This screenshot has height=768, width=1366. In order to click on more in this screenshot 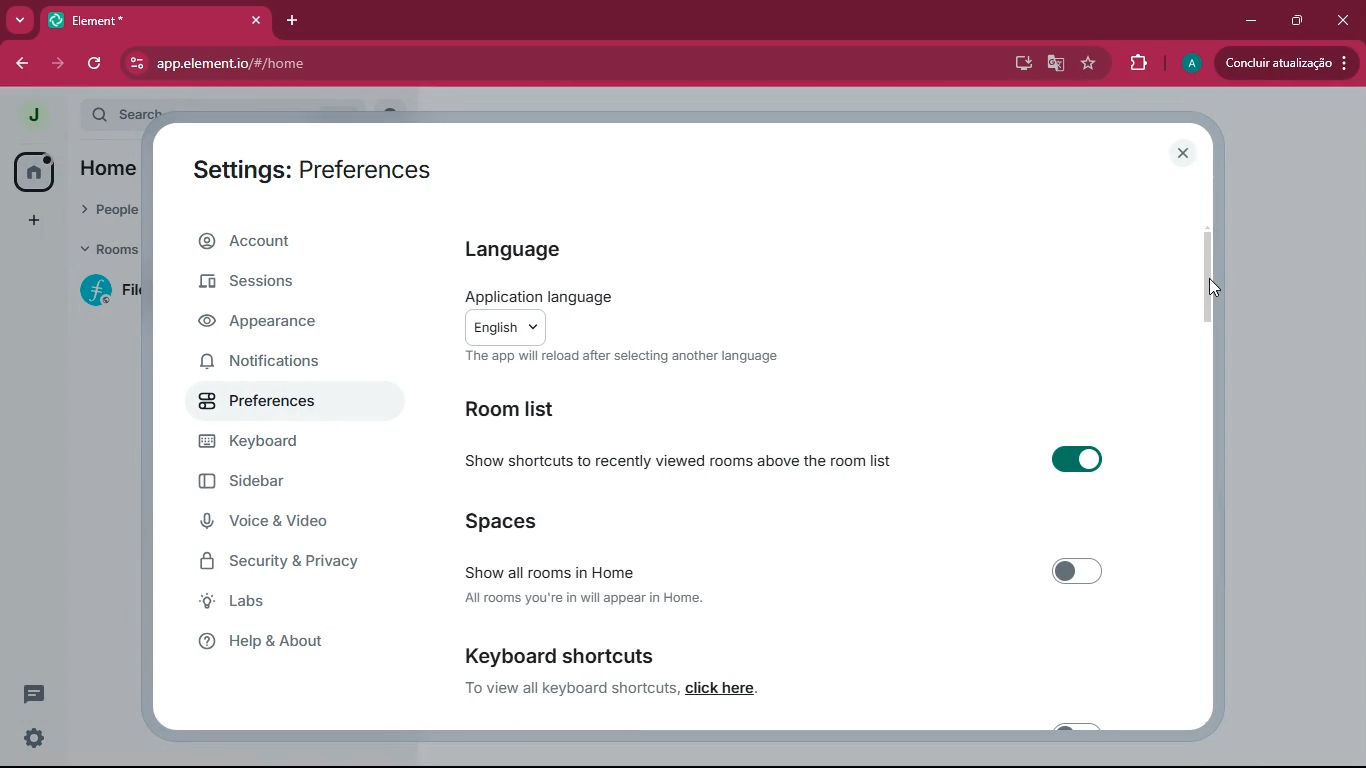, I will do `click(18, 20)`.